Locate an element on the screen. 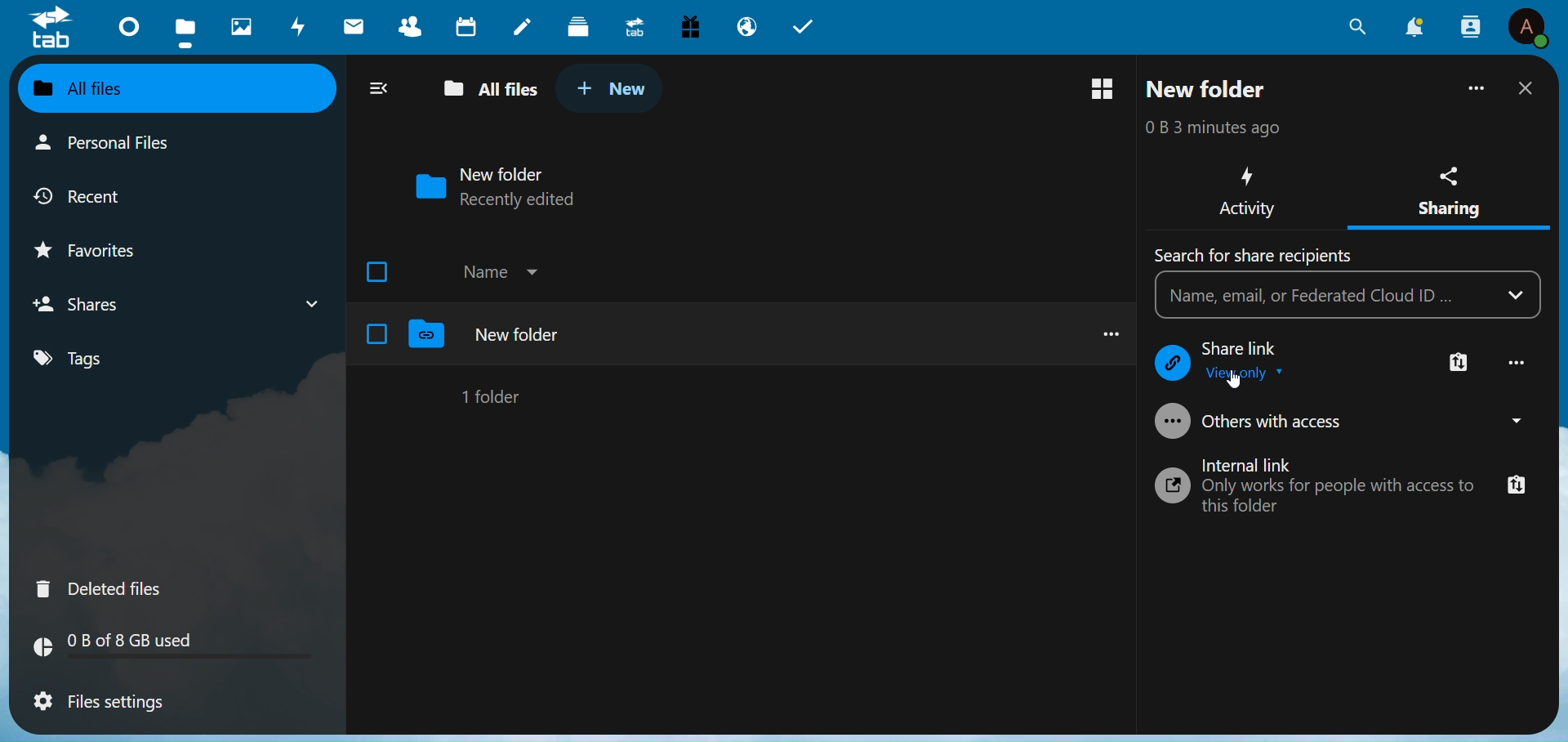 The image size is (1568, 742). Recent is located at coordinates (97, 194).